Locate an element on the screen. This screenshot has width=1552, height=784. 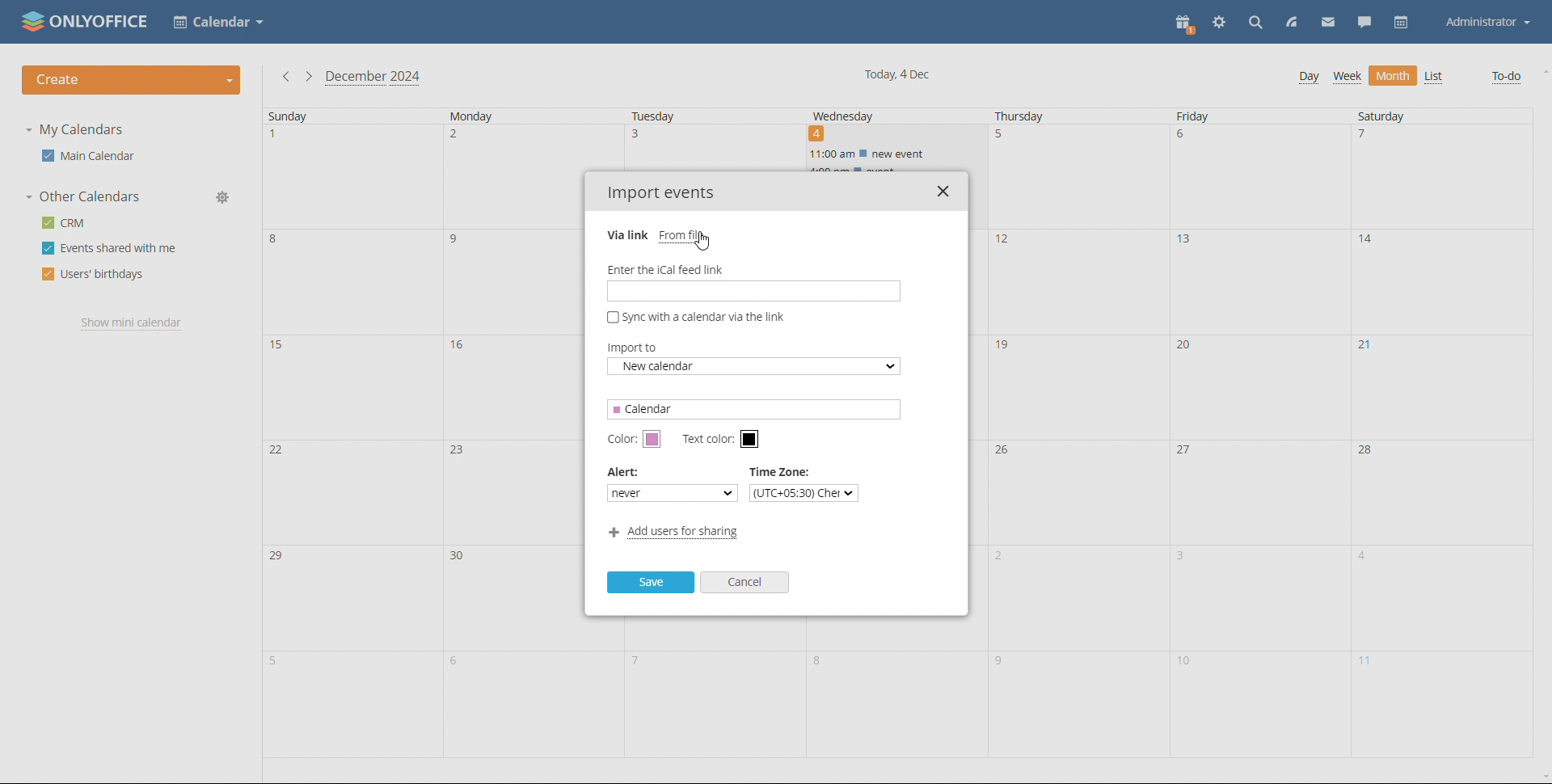
close is located at coordinates (943, 191).